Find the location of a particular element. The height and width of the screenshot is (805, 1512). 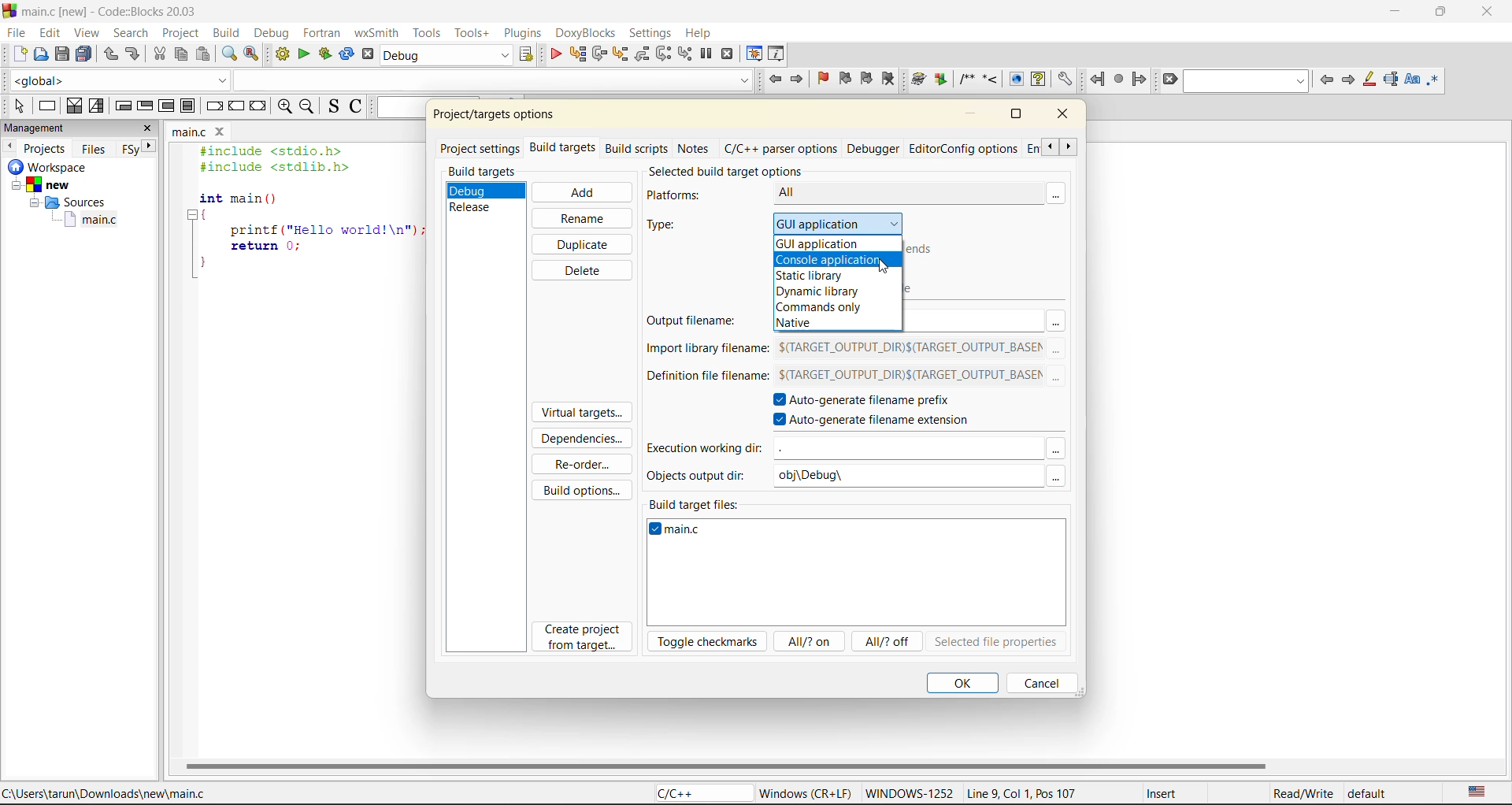

gui application is located at coordinates (854, 222).